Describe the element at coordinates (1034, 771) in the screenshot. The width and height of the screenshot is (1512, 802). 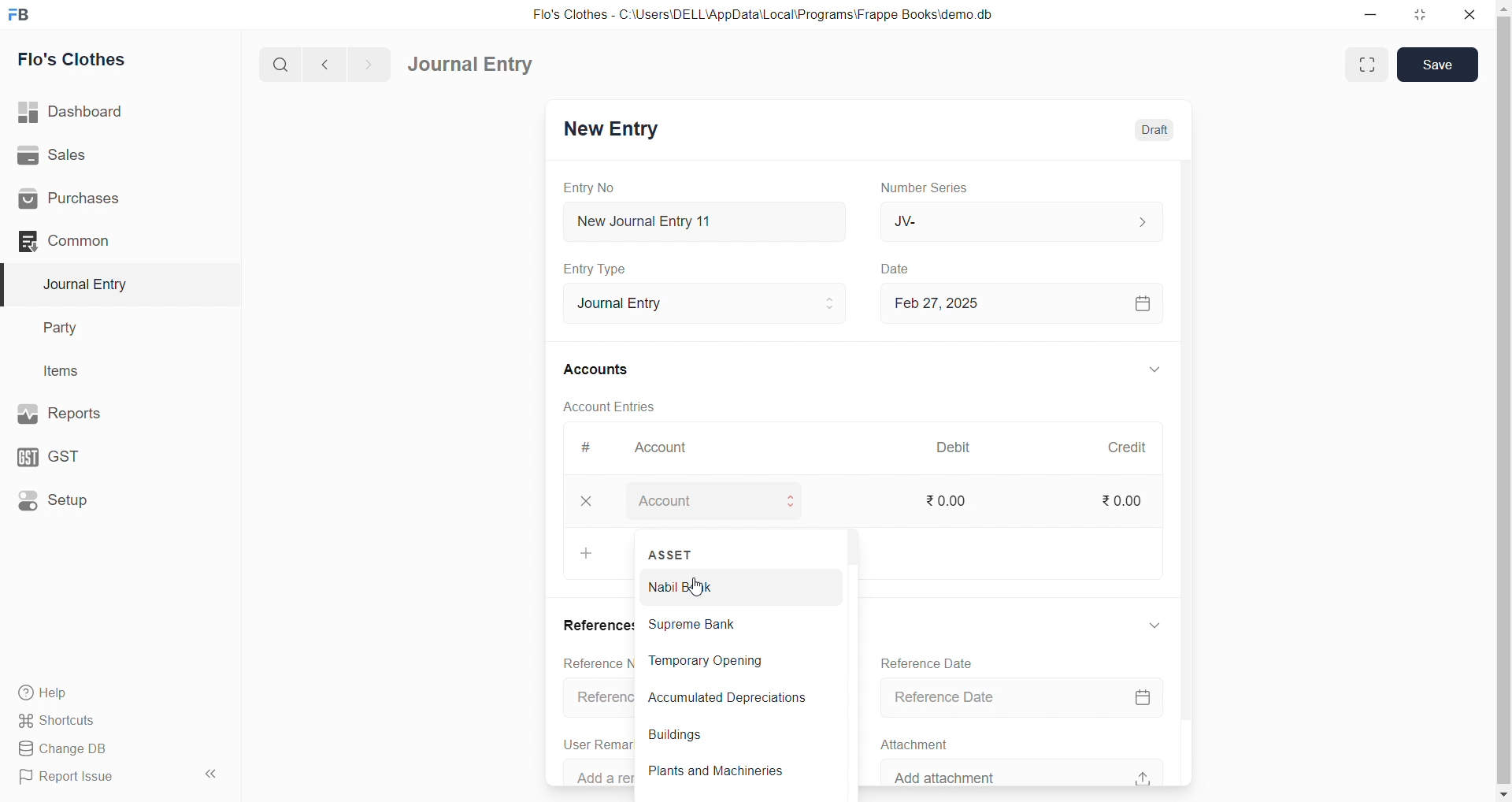
I see `Add attachment` at that location.